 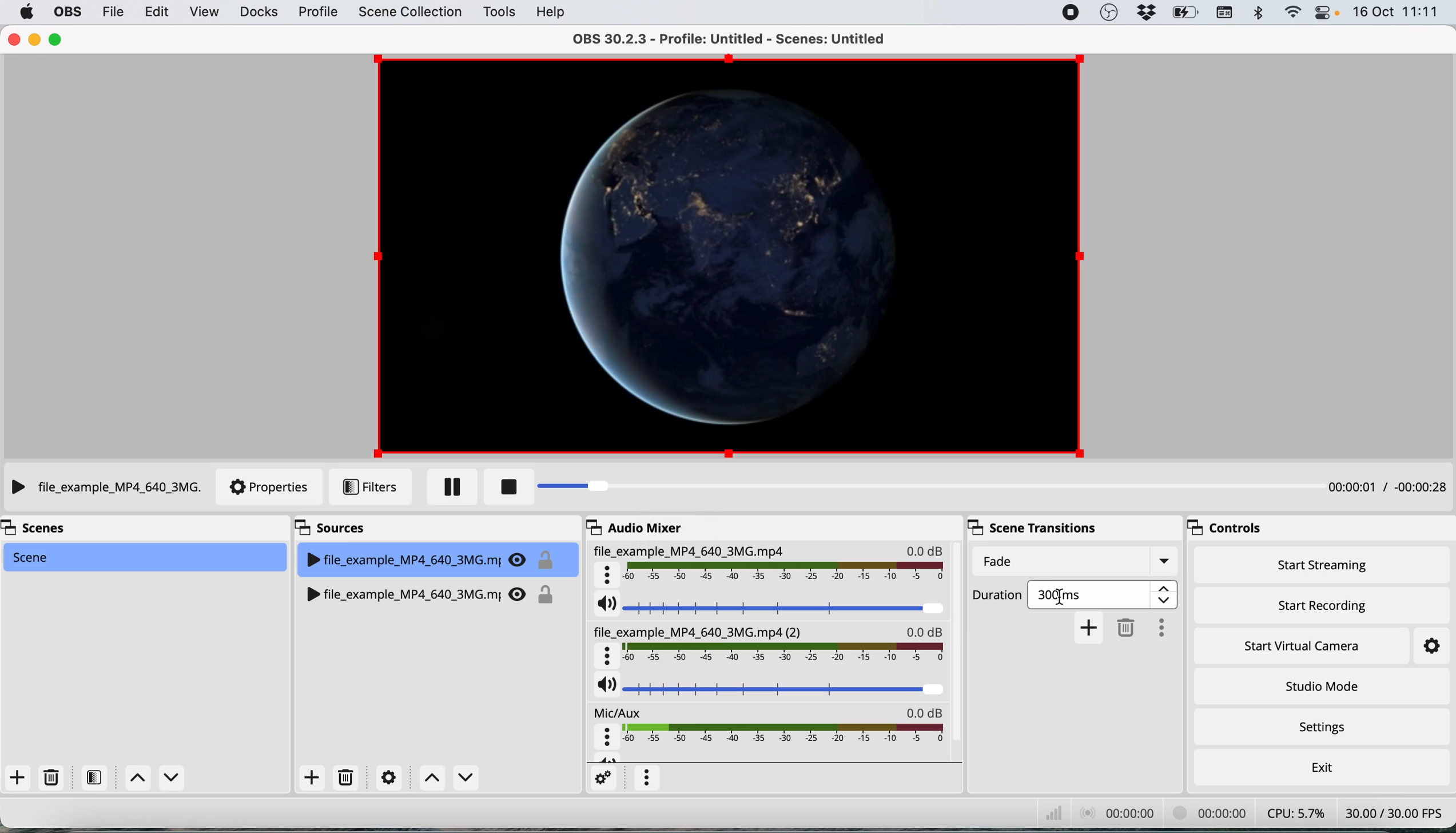 I want to click on scenes, so click(x=52, y=530).